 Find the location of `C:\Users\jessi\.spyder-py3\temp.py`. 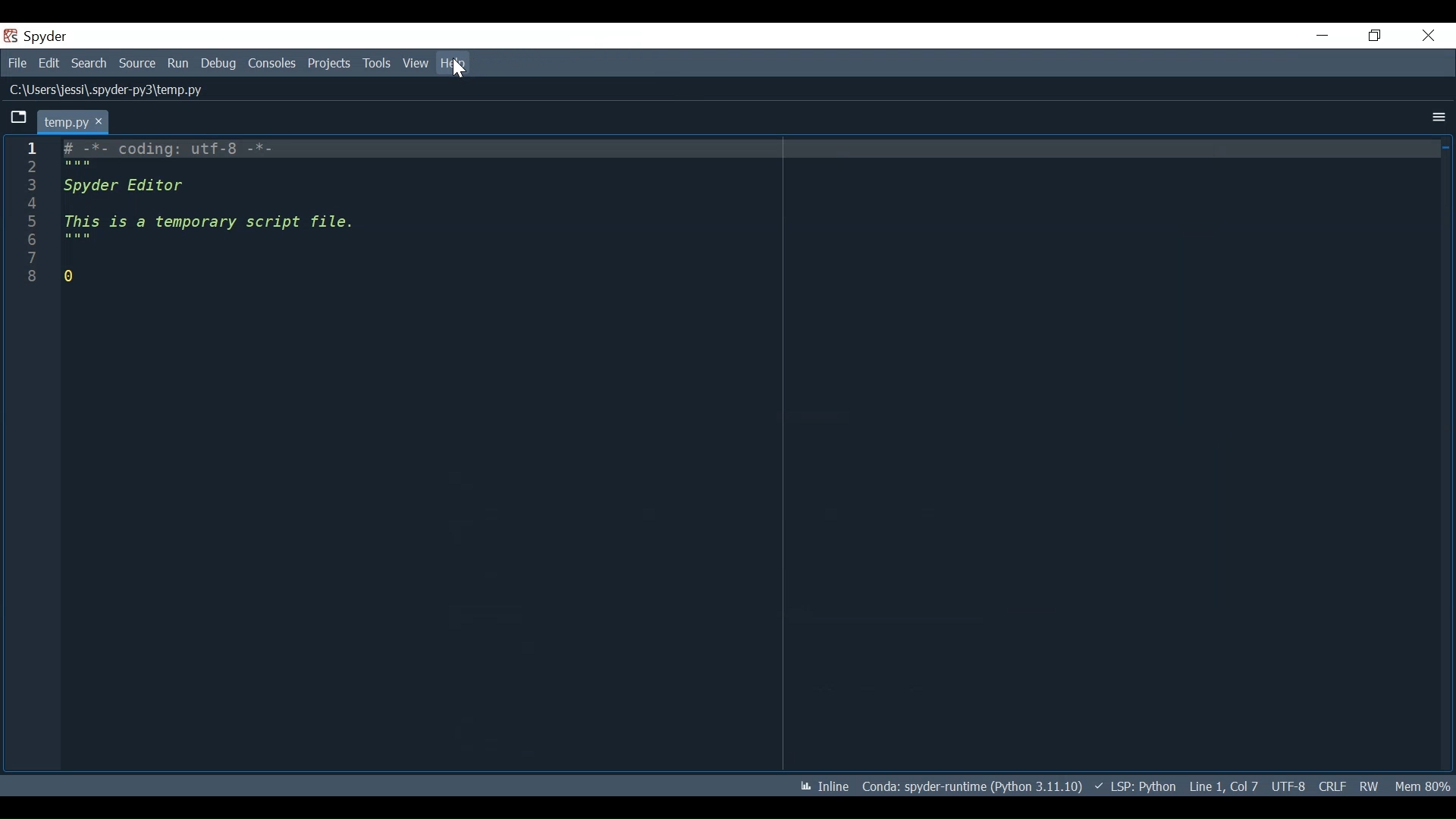

C:\Users\jessi\.spyder-py3\temp.py is located at coordinates (124, 91).